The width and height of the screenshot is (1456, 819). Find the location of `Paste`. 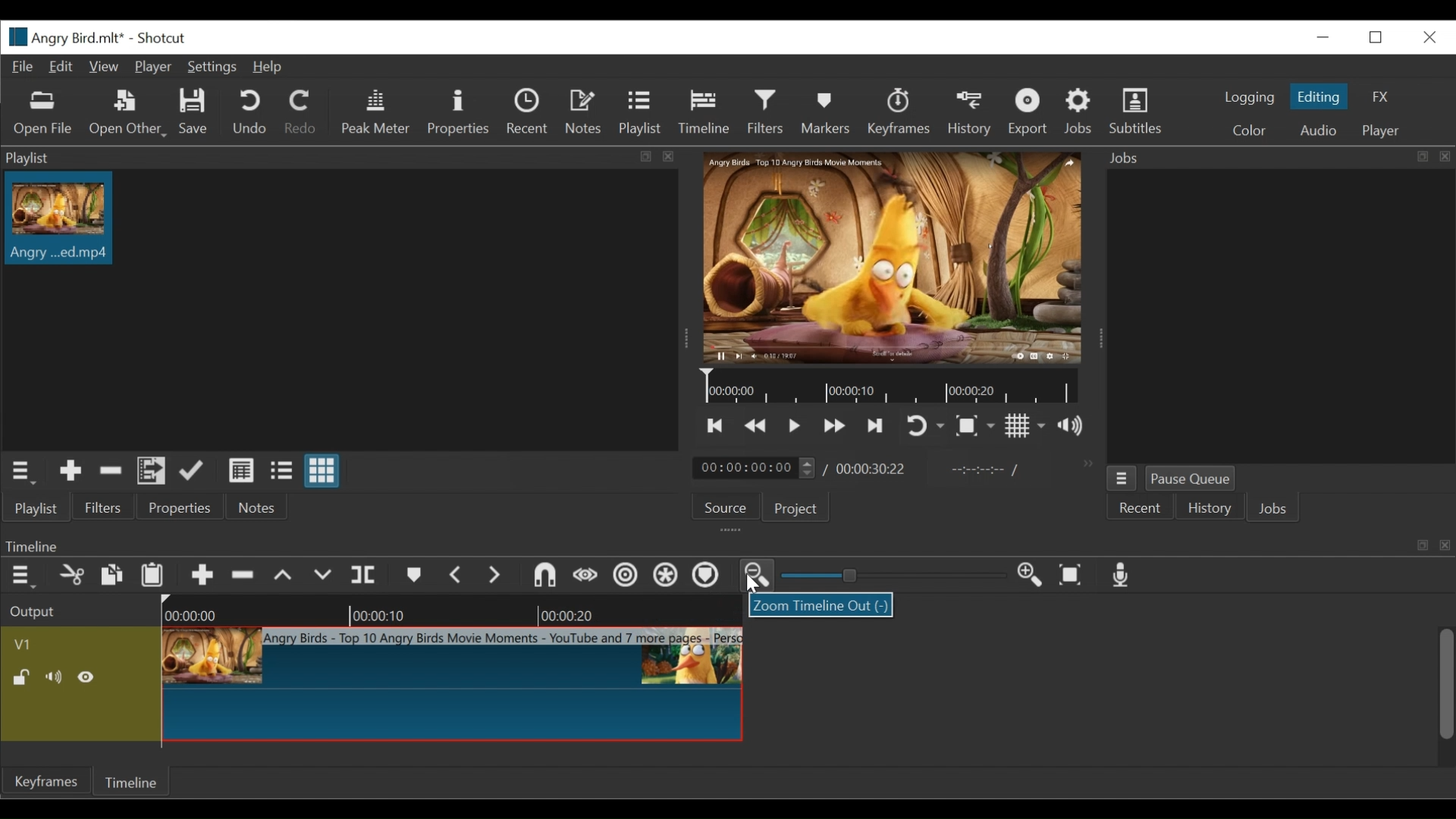

Paste is located at coordinates (152, 577).